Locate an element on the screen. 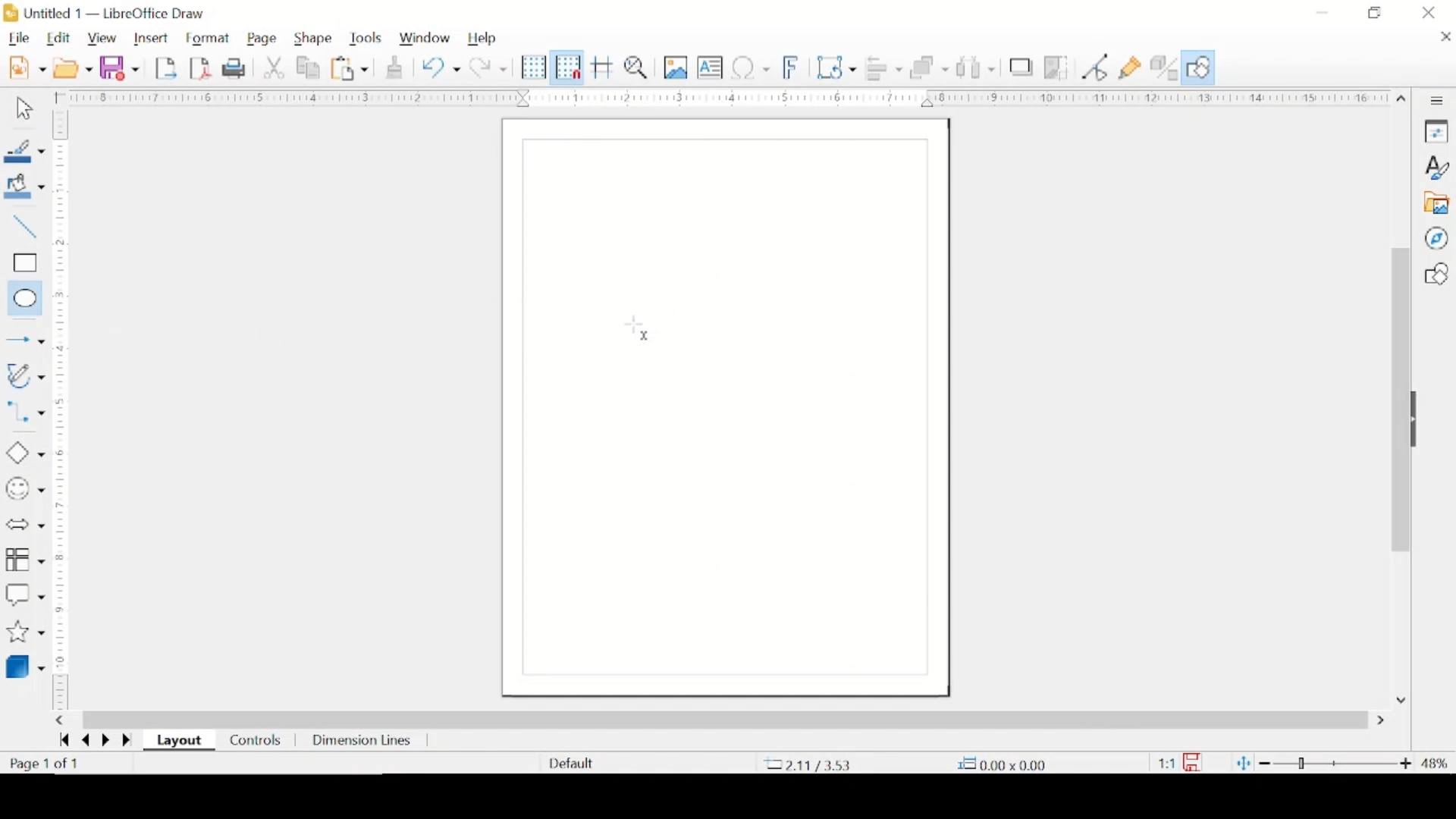  layout is located at coordinates (180, 742).